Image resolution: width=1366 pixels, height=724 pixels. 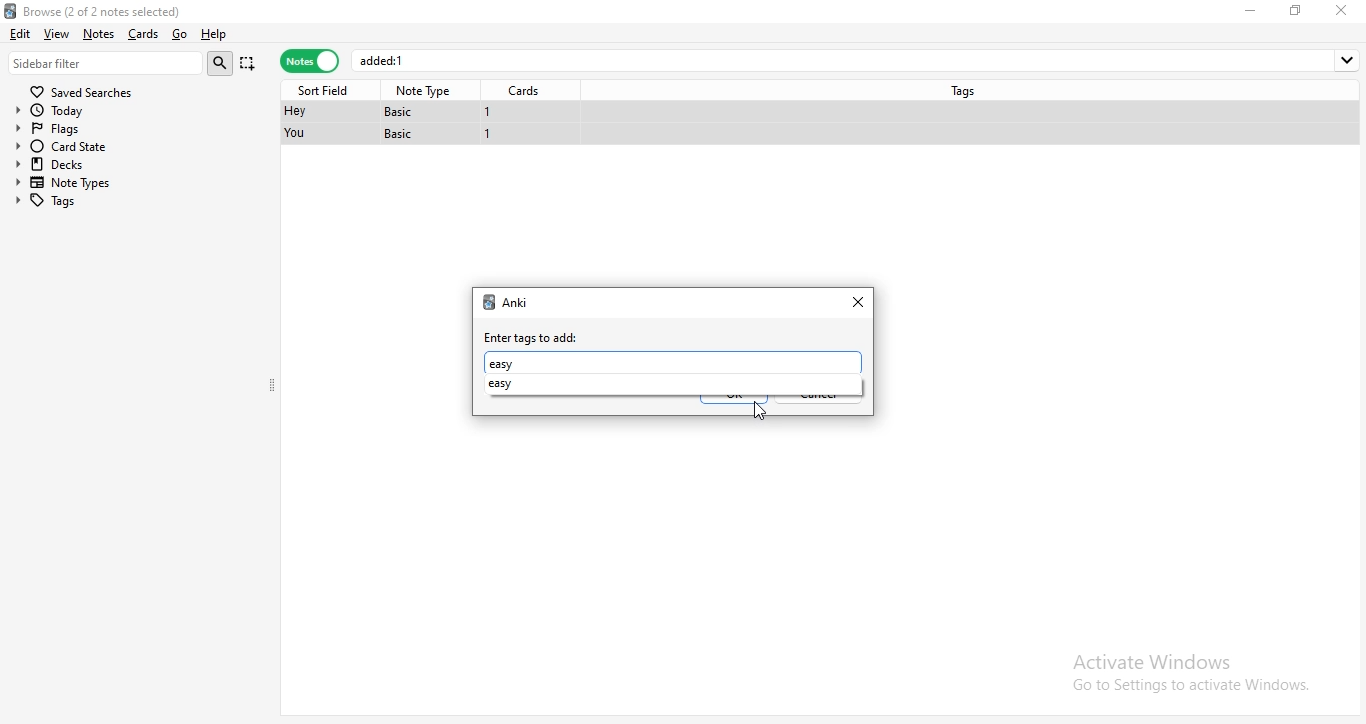 I want to click on basic, so click(x=405, y=111).